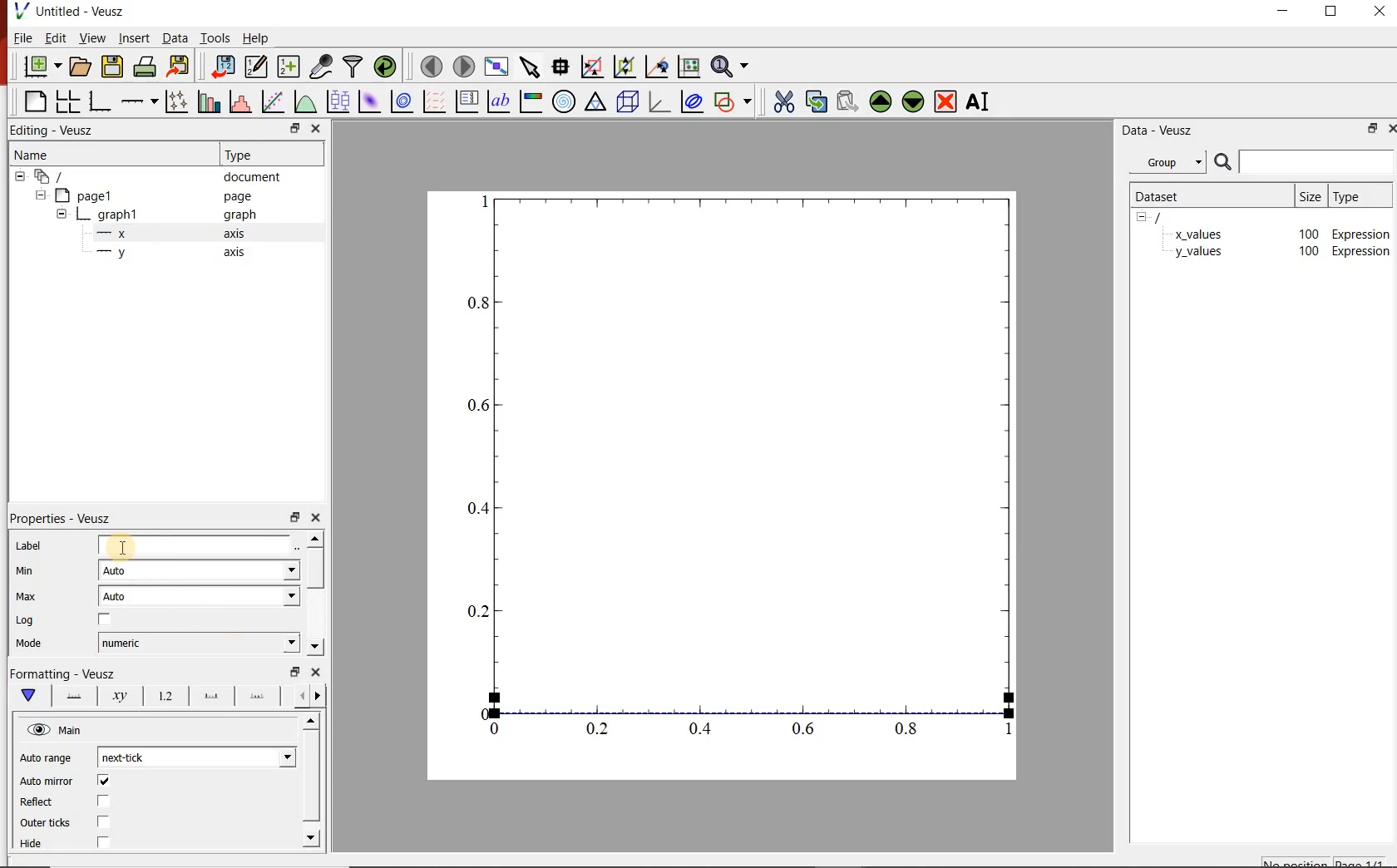  Describe the element at coordinates (100, 103) in the screenshot. I see `bar graph` at that location.